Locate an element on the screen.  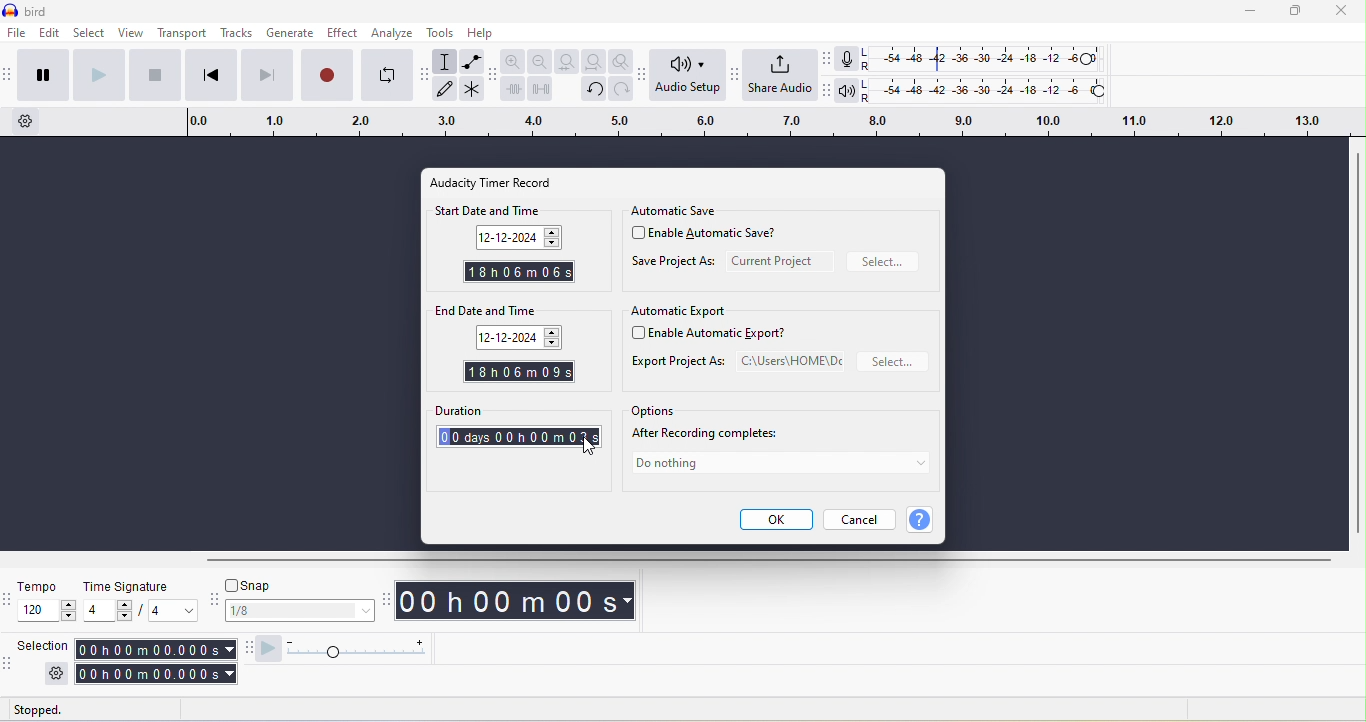
audacity selection toolbar is located at coordinates (9, 663).